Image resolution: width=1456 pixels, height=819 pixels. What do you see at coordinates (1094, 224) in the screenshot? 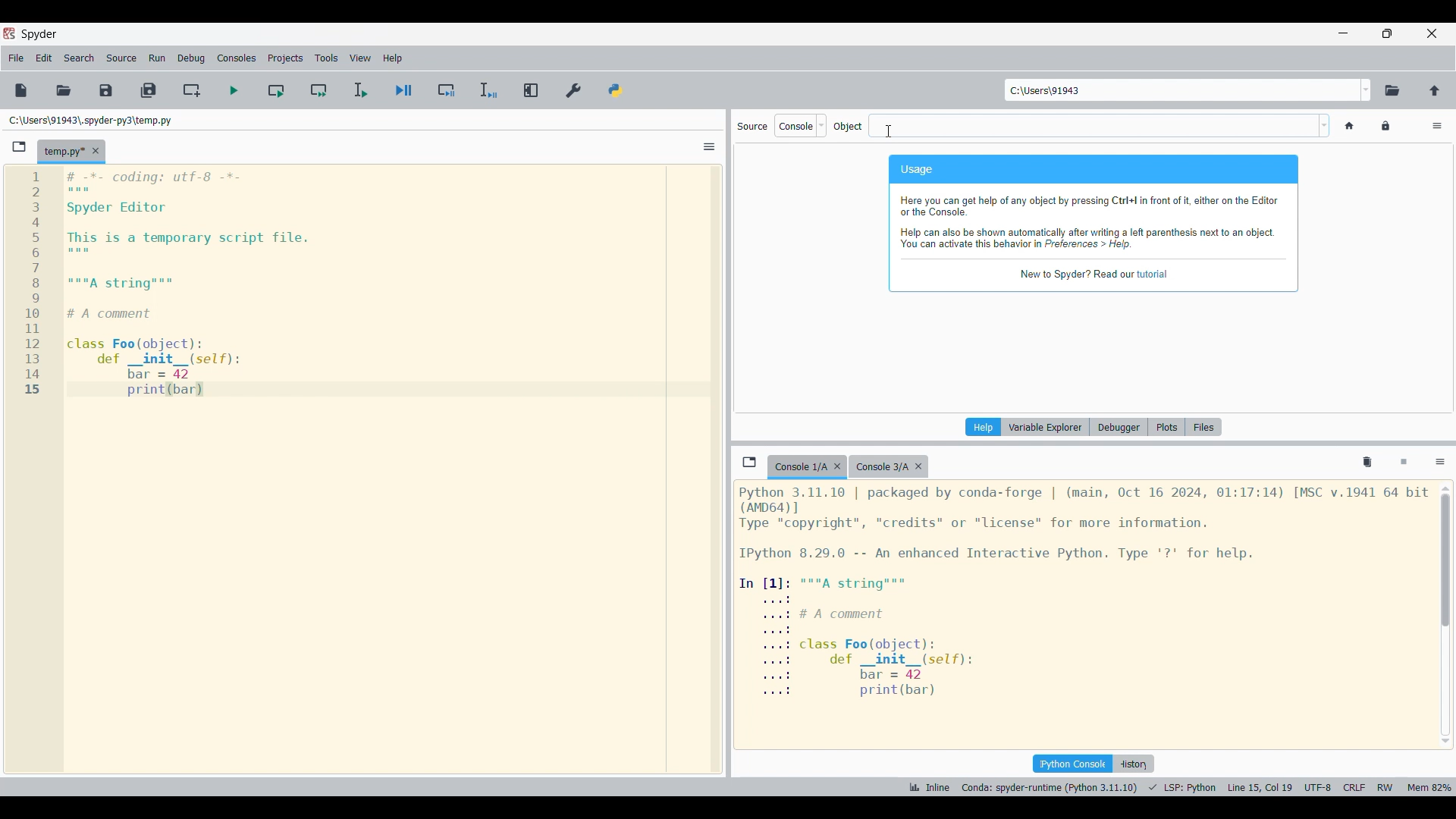
I see `Description of current pane` at bounding box center [1094, 224].